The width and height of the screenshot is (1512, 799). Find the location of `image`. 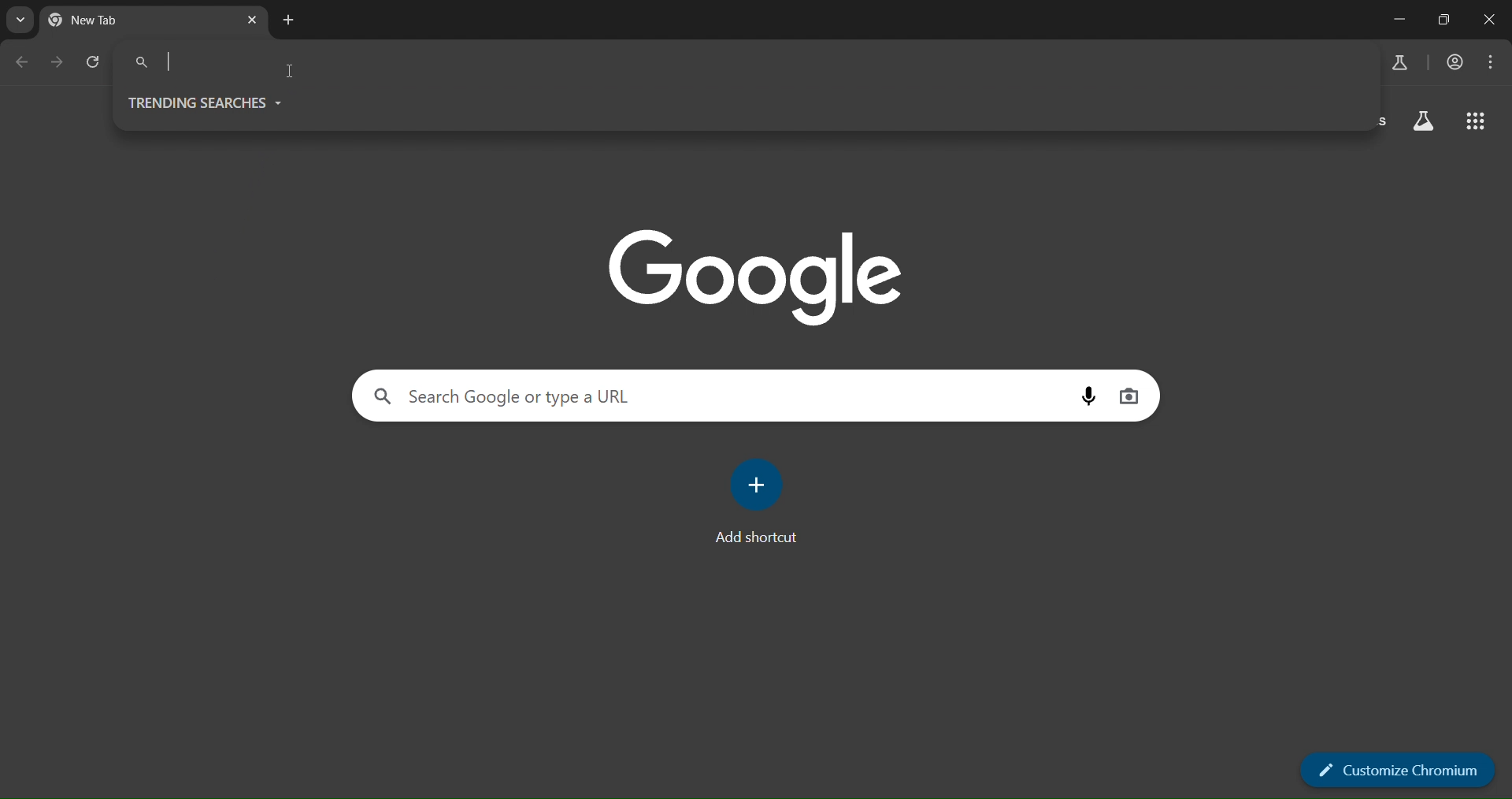

image is located at coordinates (767, 279).